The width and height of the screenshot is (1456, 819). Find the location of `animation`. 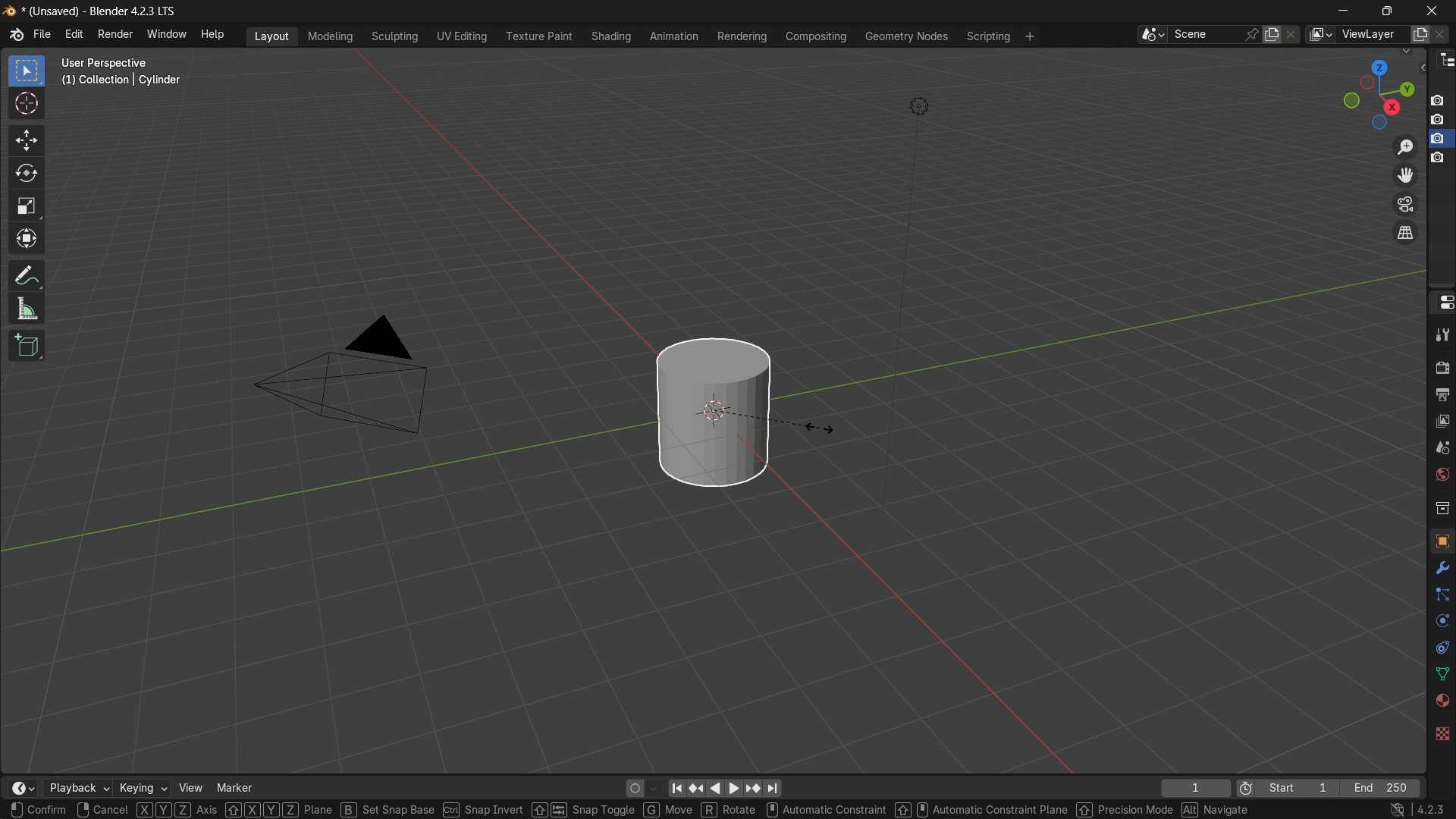

animation is located at coordinates (674, 36).